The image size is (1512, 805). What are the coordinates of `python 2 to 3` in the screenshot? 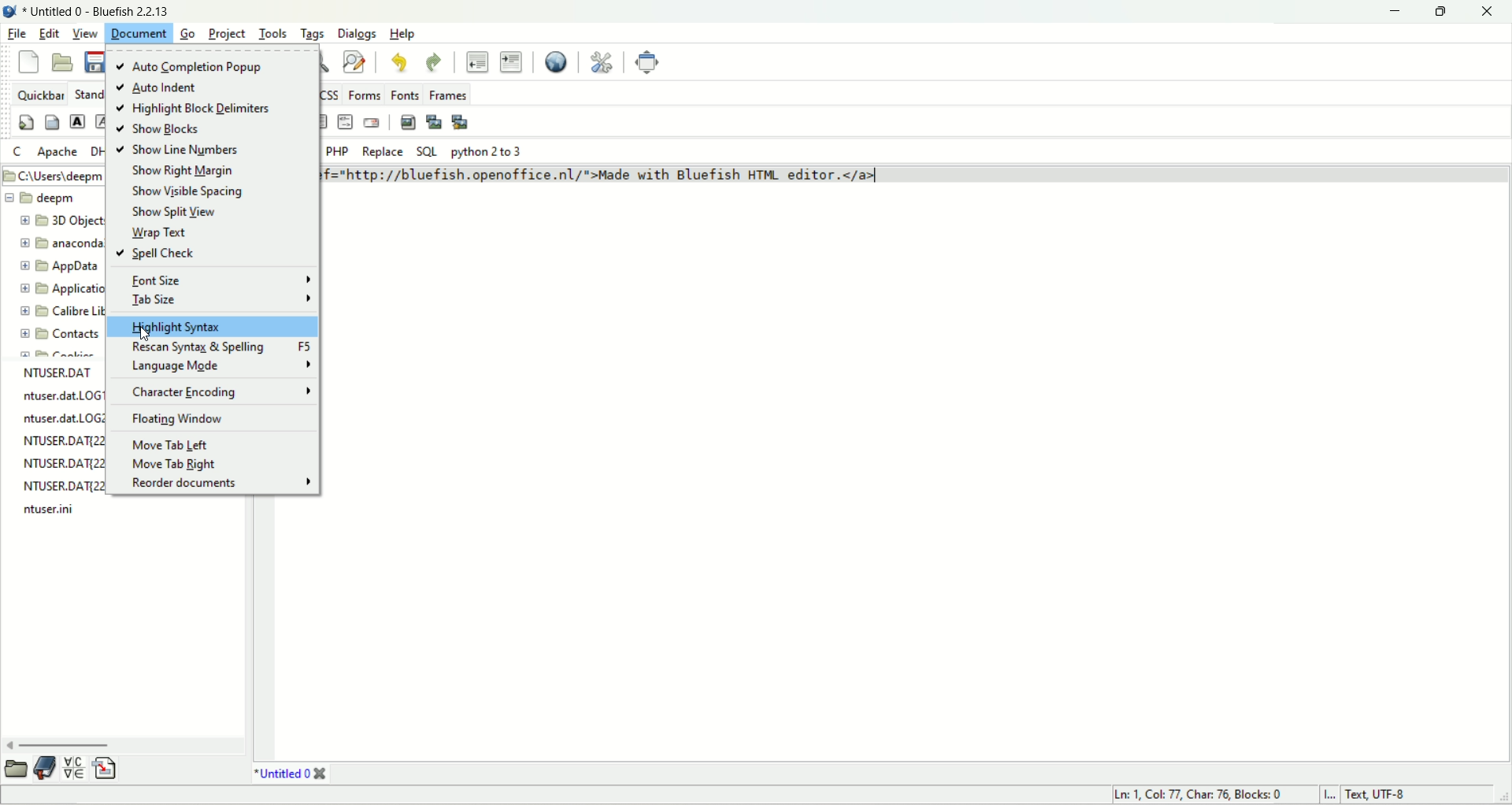 It's located at (494, 152).